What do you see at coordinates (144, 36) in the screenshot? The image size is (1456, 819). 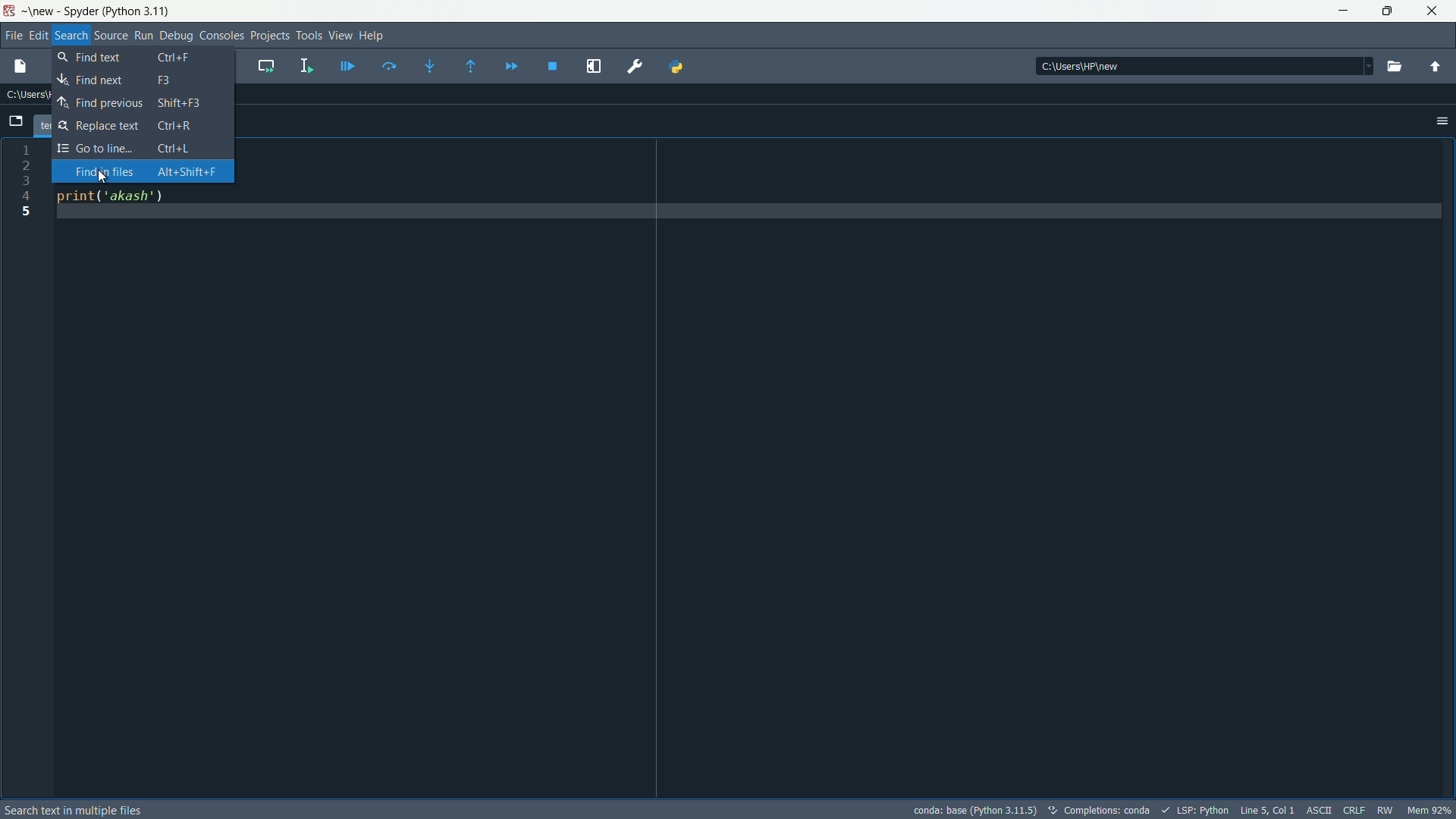 I see `Run Button` at bounding box center [144, 36].